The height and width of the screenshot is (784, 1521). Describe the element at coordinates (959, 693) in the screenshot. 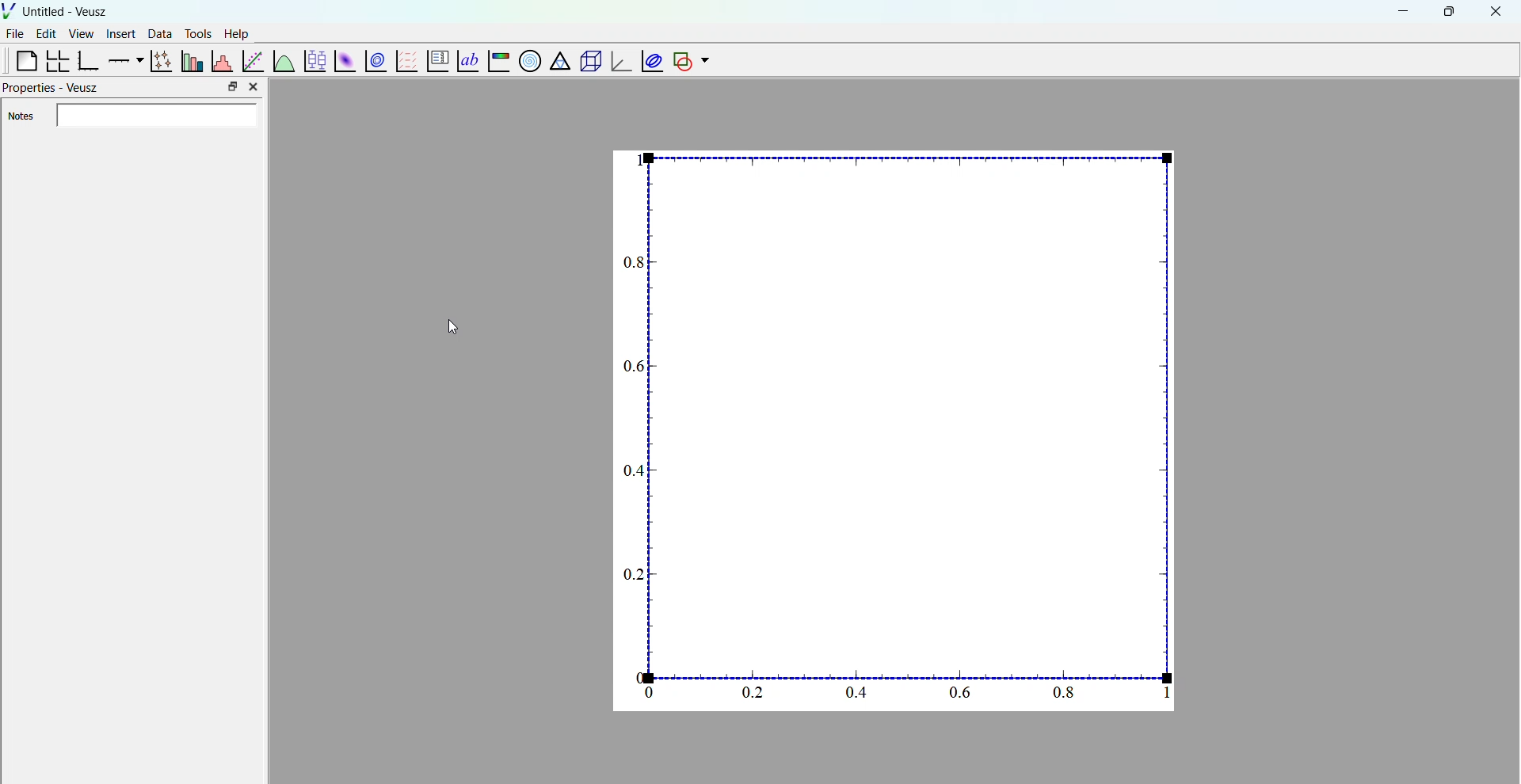

I see `0.6` at that location.